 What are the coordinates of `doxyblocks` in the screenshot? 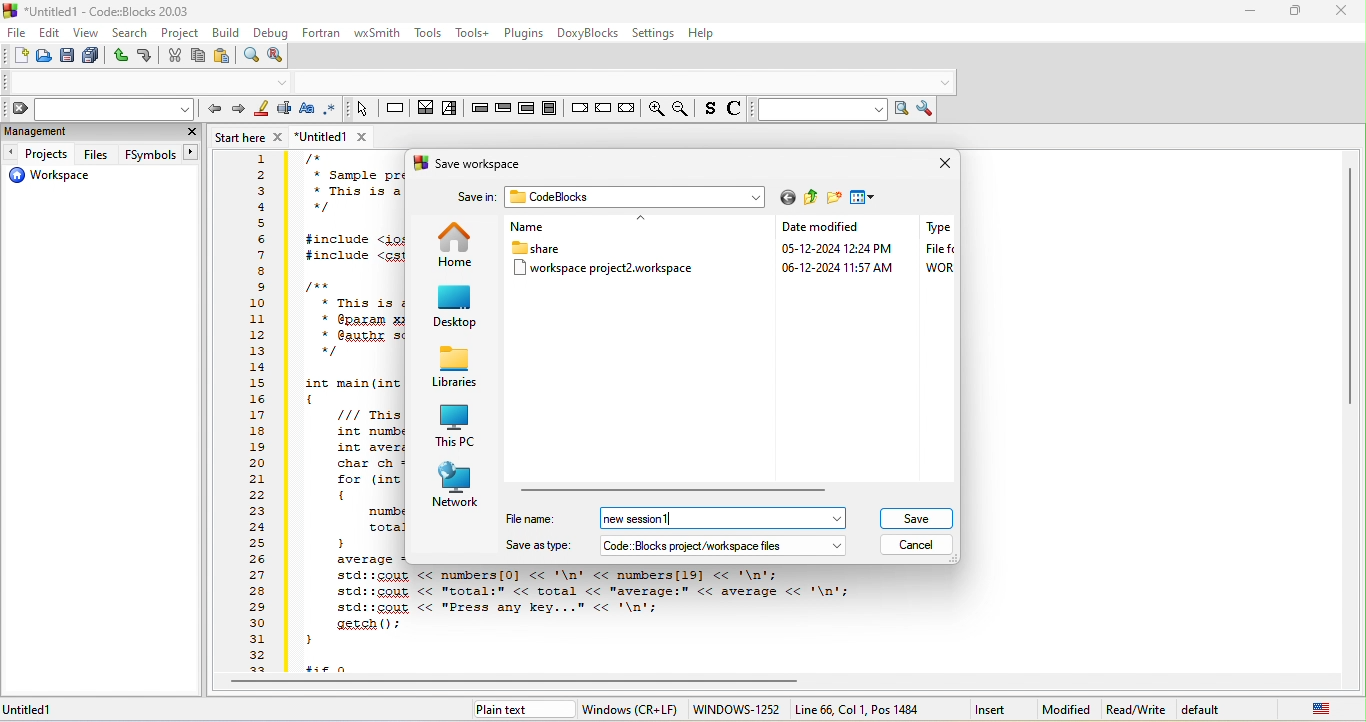 It's located at (589, 34).